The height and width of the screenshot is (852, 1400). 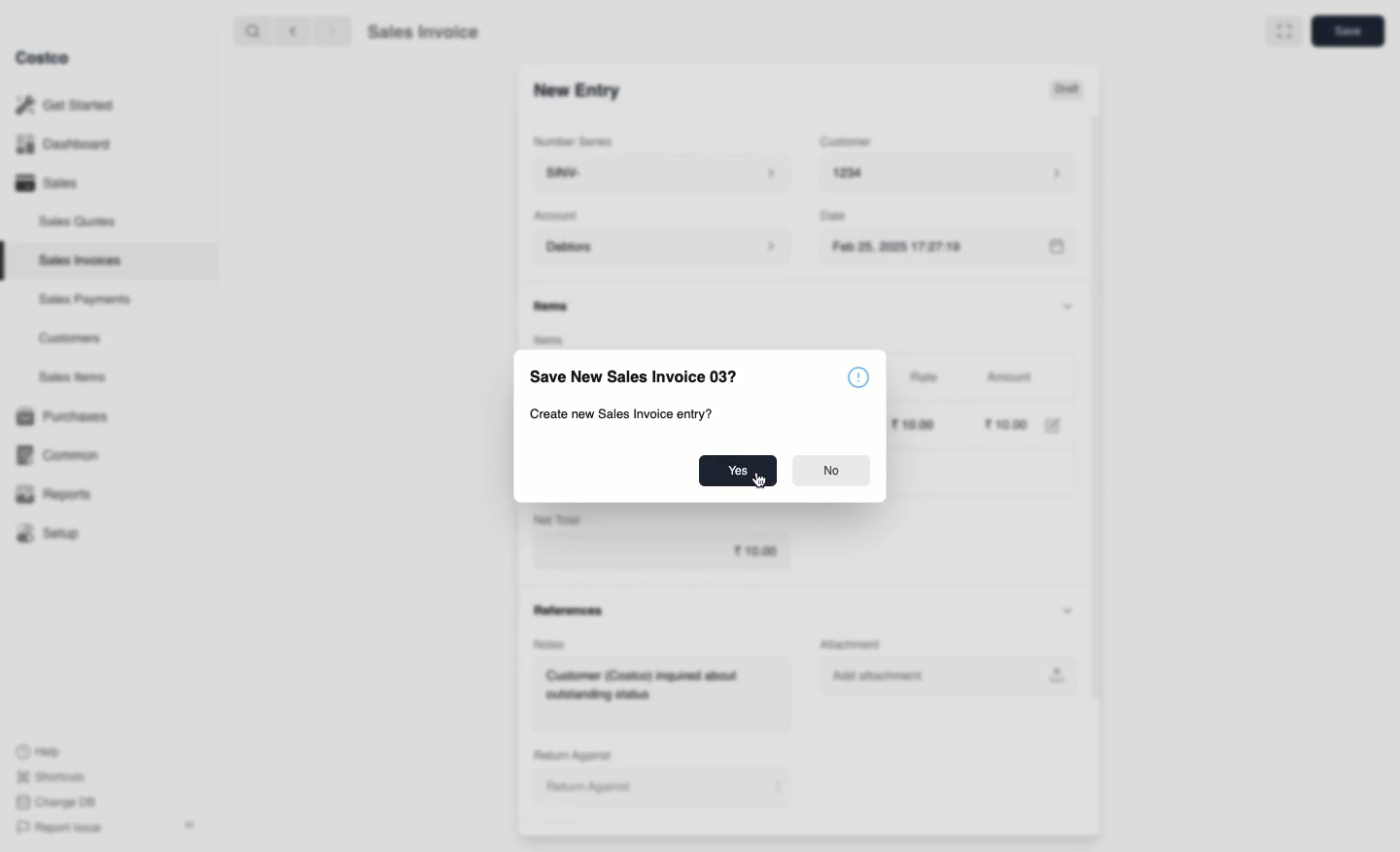 I want to click on Icon, so click(x=856, y=377).